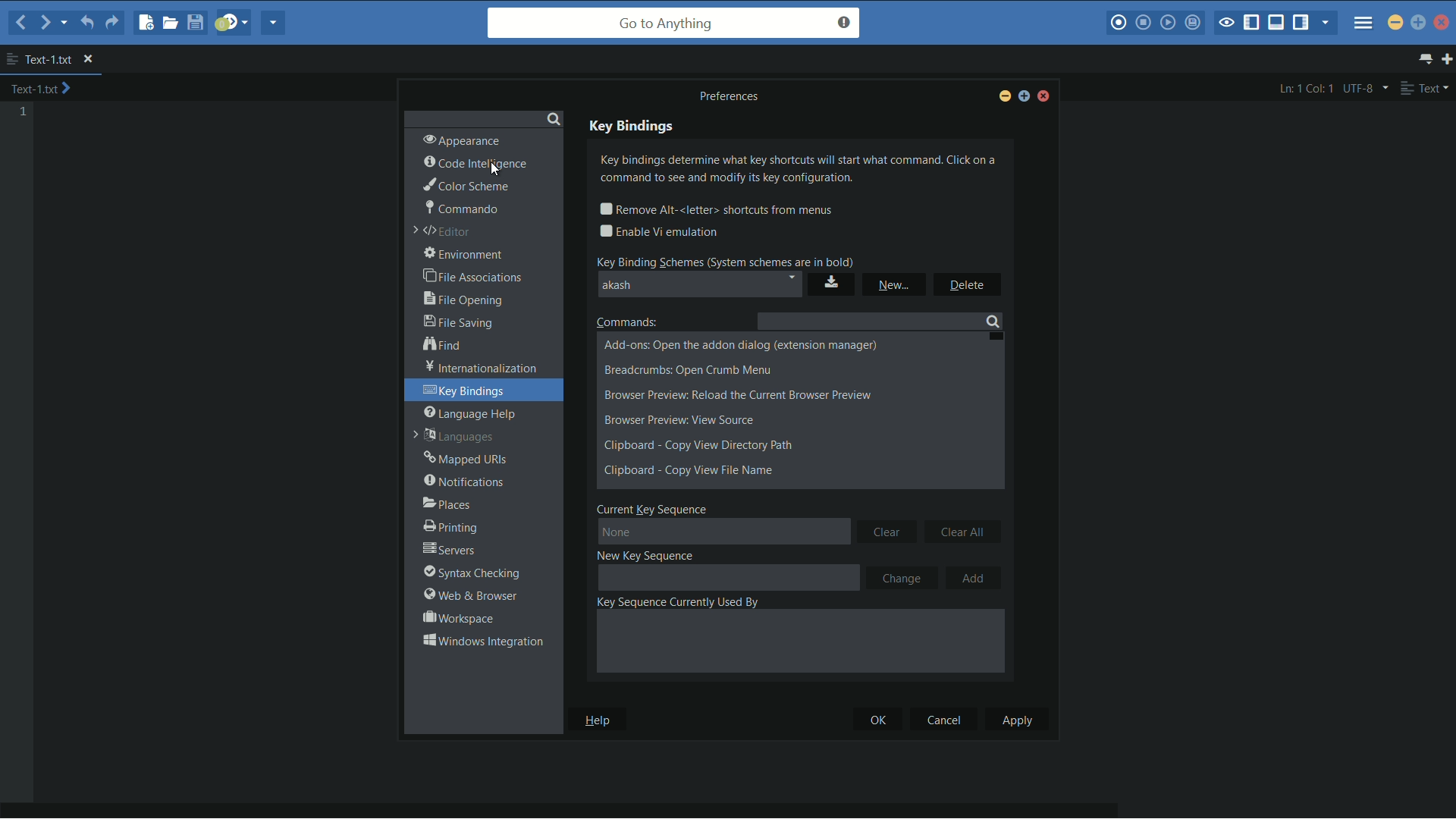 This screenshot has height=819, width=1456. I want to click on current key sequence, so click(653, 508).